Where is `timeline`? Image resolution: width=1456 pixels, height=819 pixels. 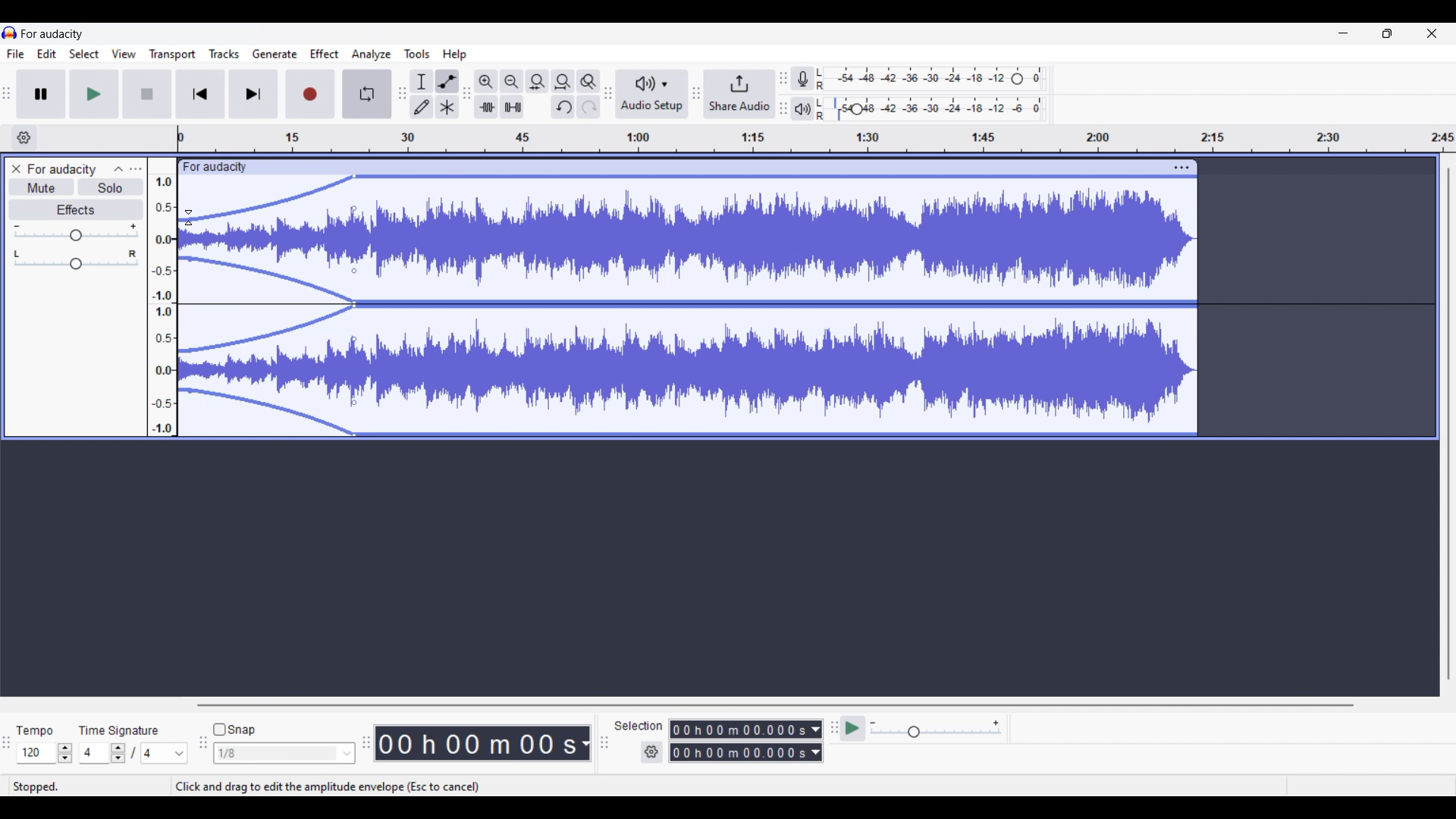 timeline is located at coordinates (816, 139).